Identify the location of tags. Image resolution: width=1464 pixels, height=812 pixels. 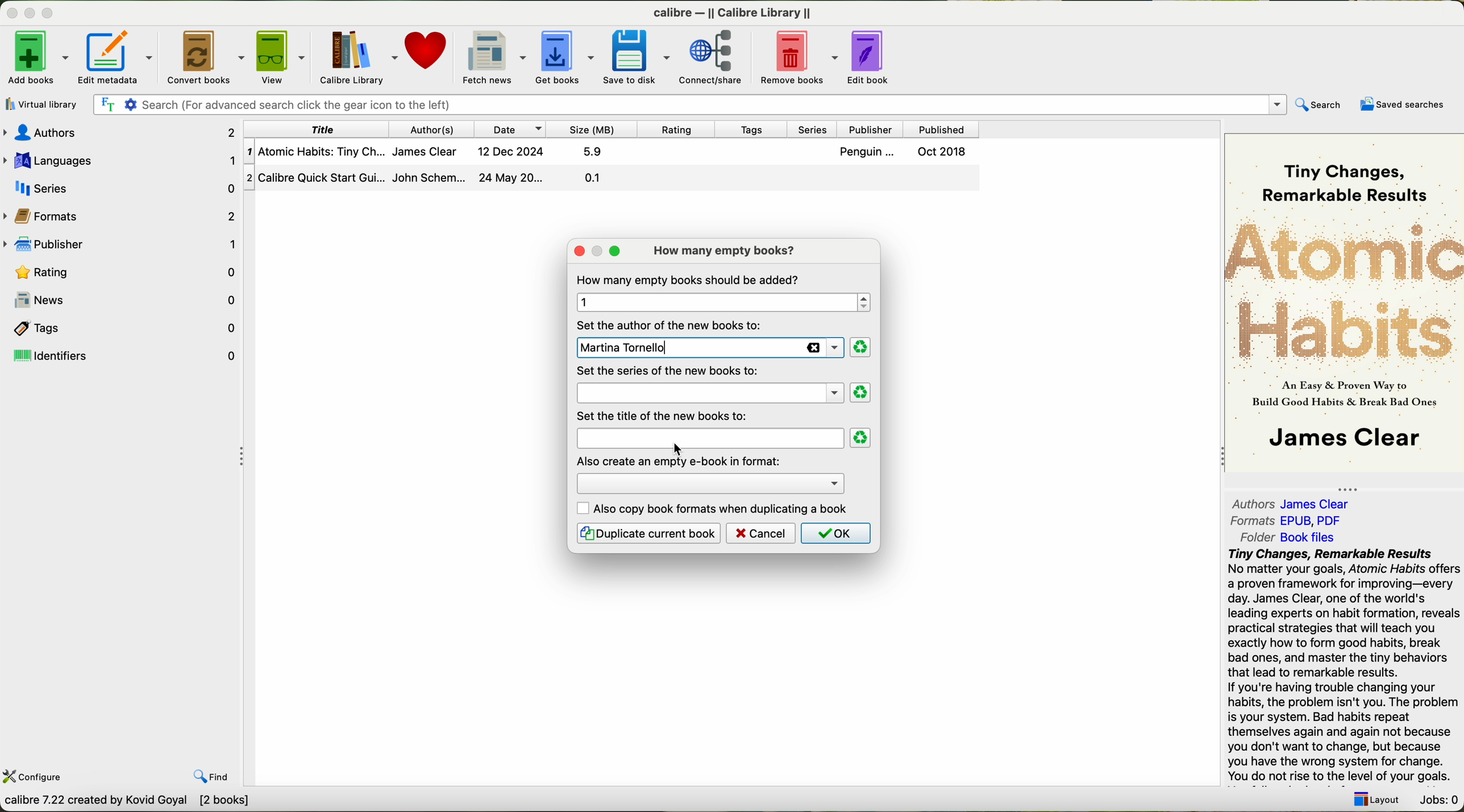
(121, 327).